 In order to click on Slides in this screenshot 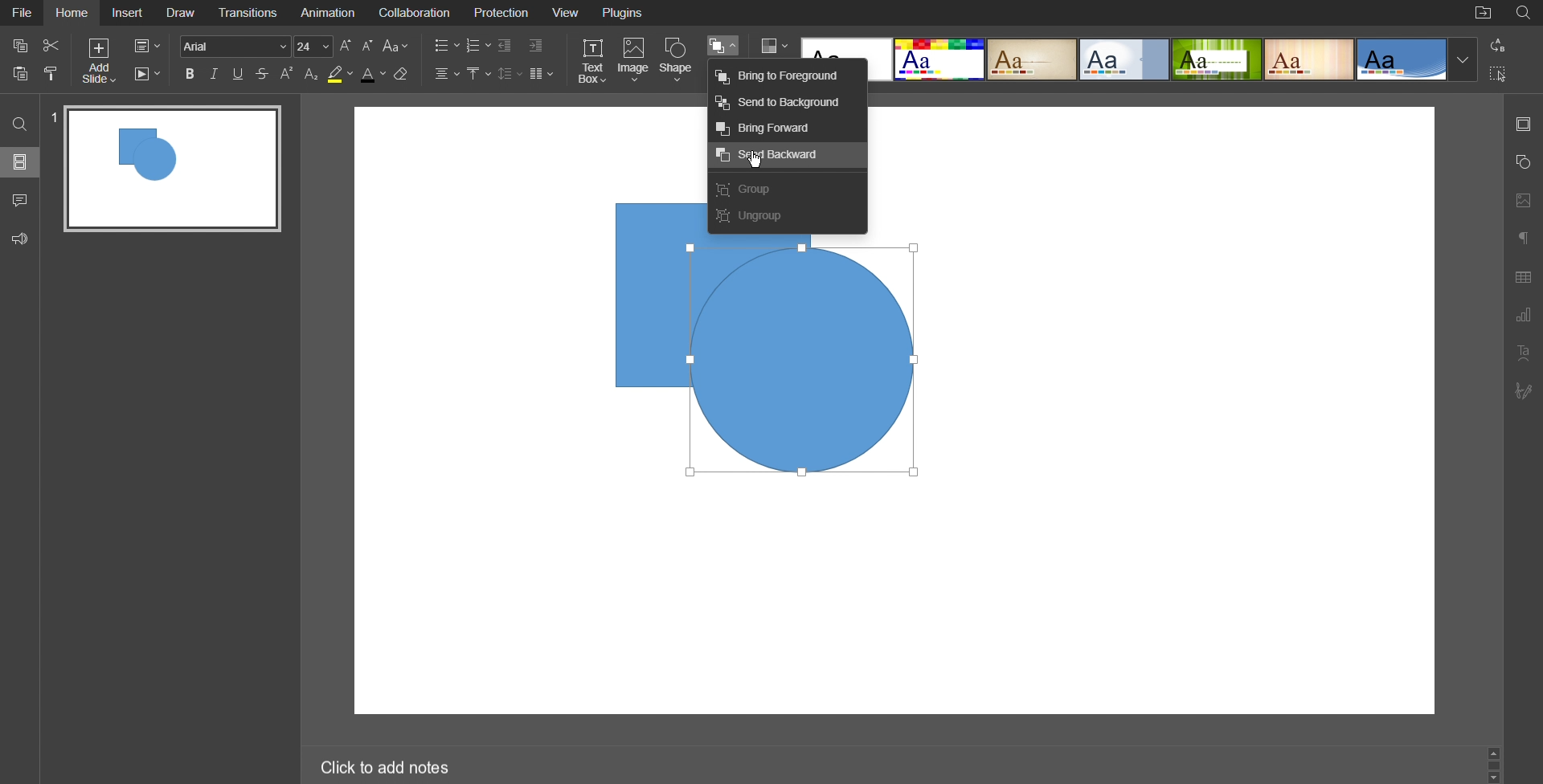, I will do `click(18, 161)`.